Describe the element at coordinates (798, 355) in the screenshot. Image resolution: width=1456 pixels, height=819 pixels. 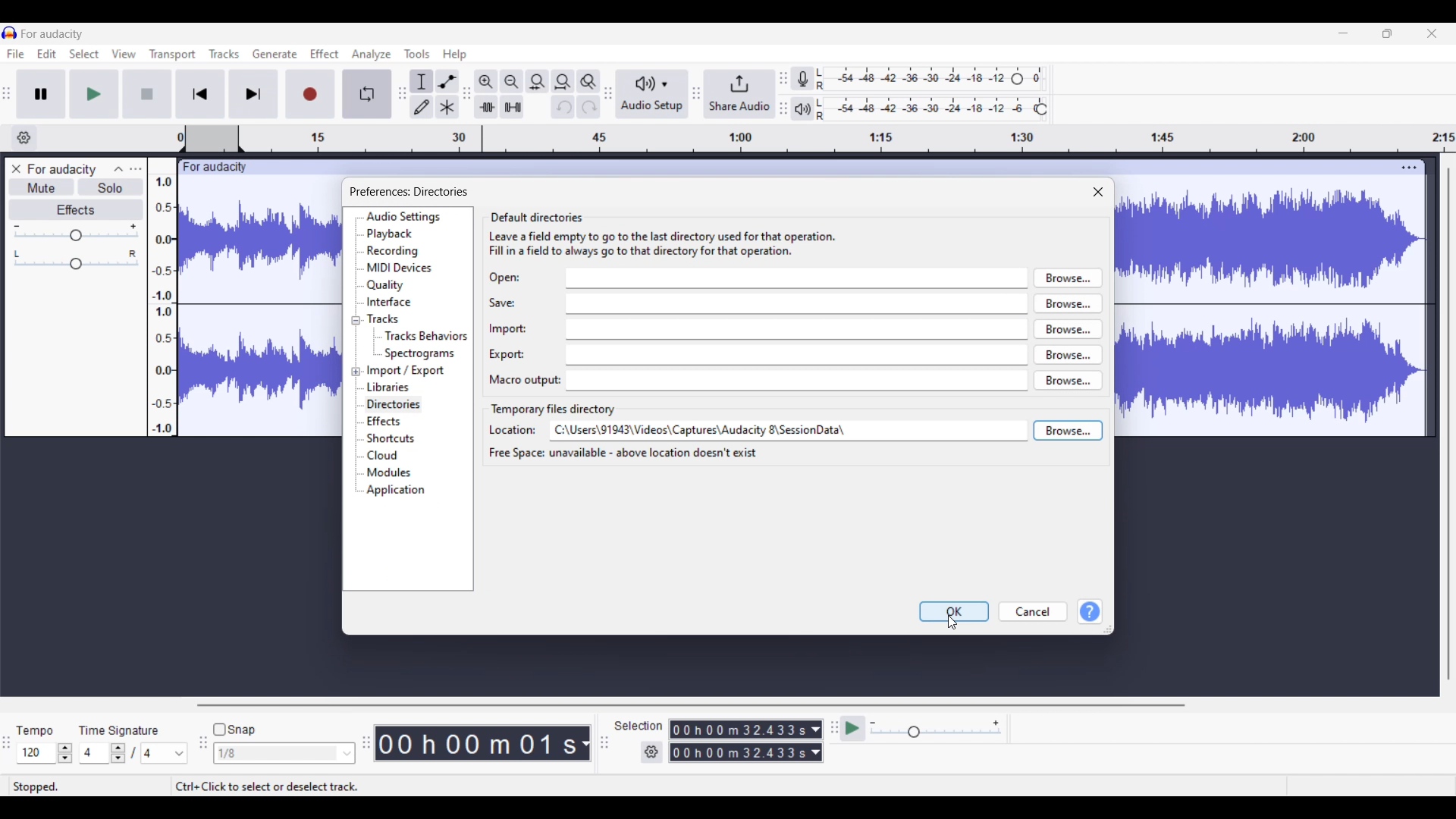
I see `export input box` at that location.